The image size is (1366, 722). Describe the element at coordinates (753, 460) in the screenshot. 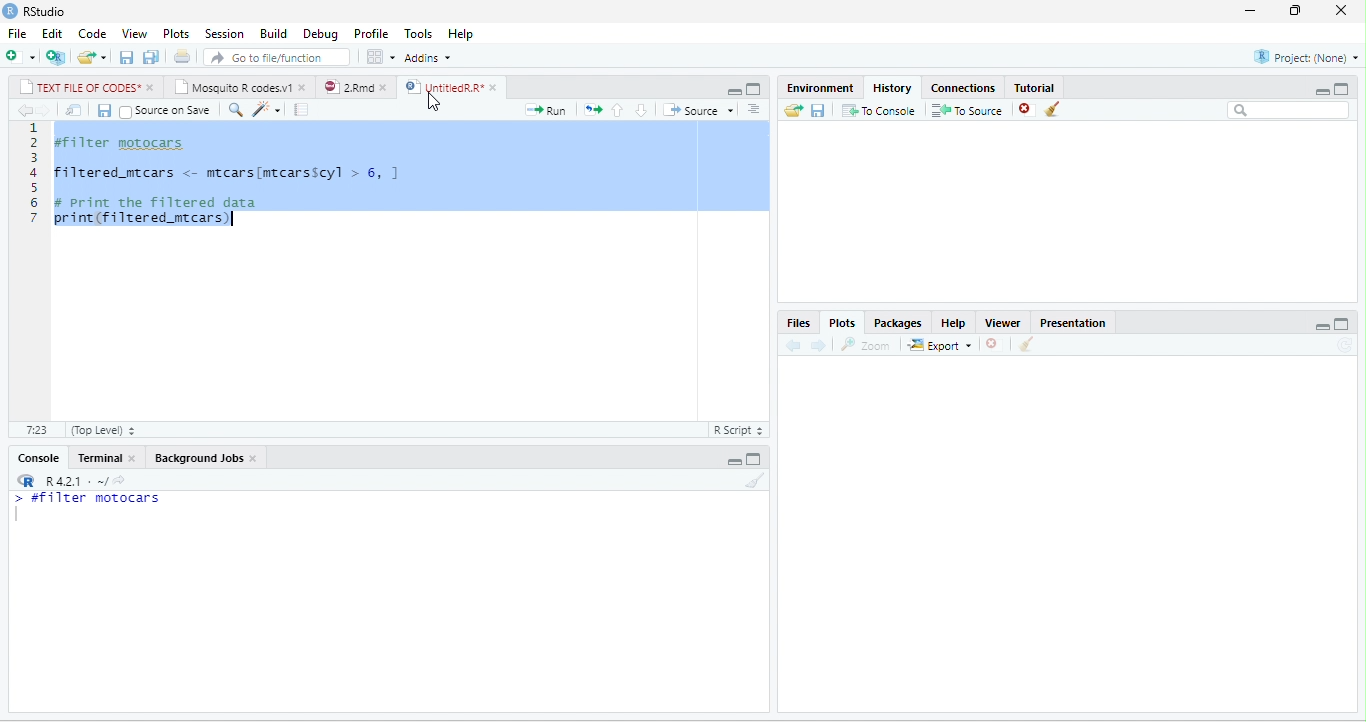

I see `maximize` at that location.